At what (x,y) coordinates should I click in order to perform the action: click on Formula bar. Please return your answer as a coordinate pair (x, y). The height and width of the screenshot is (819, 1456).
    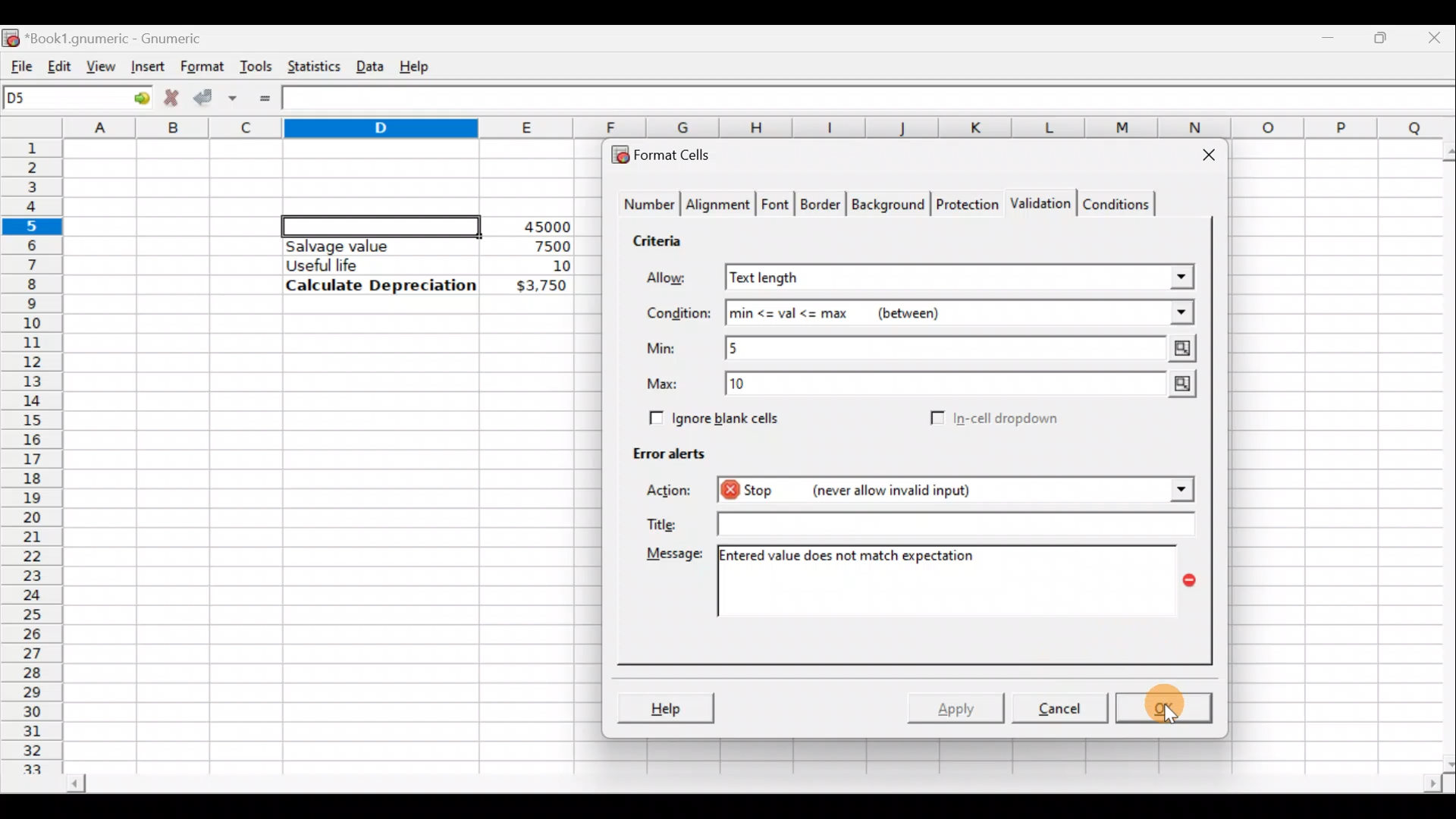
    Looking at the image, I should click on (873, 100).